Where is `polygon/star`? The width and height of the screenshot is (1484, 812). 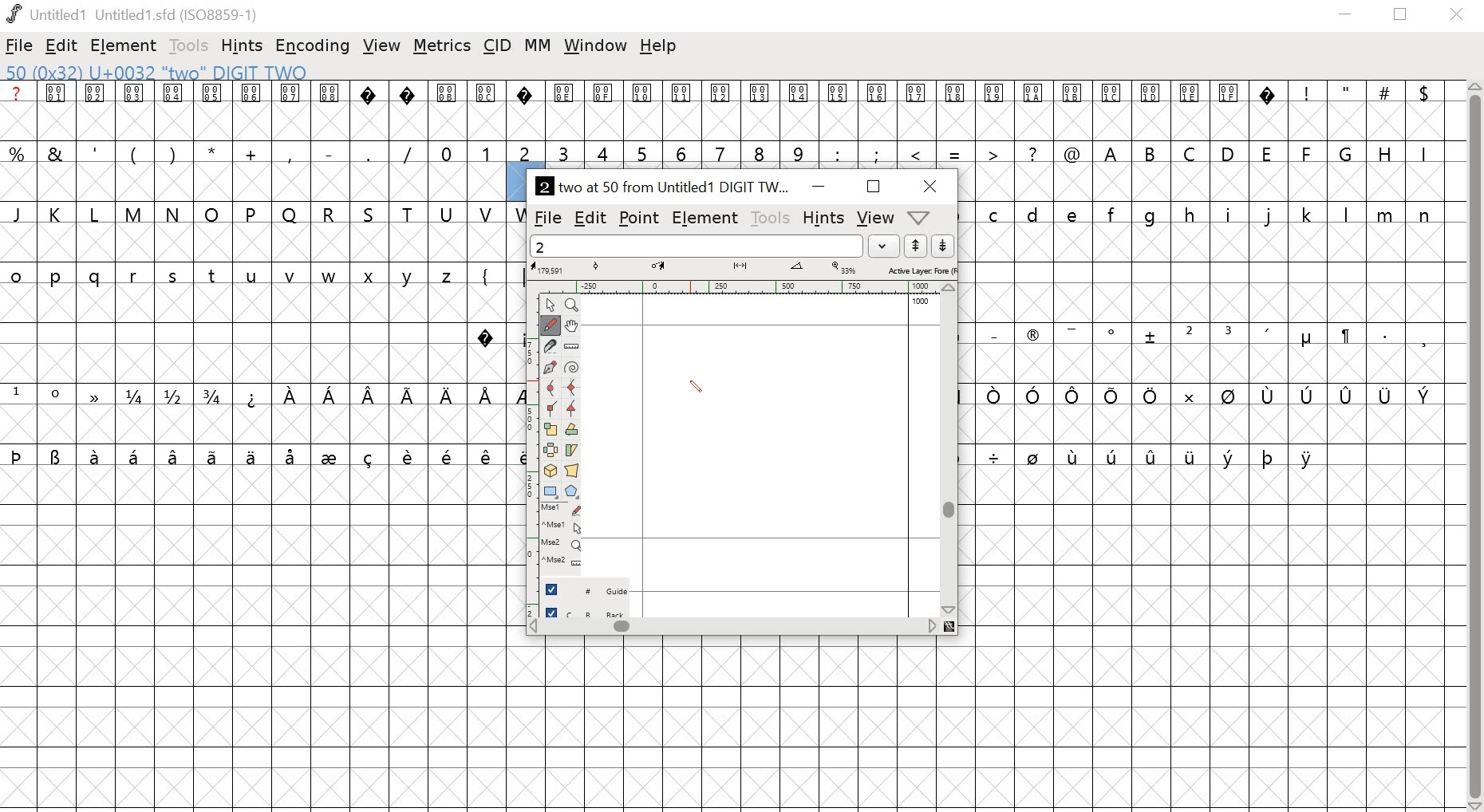 polygon/star is located at coordinates (574, 492).